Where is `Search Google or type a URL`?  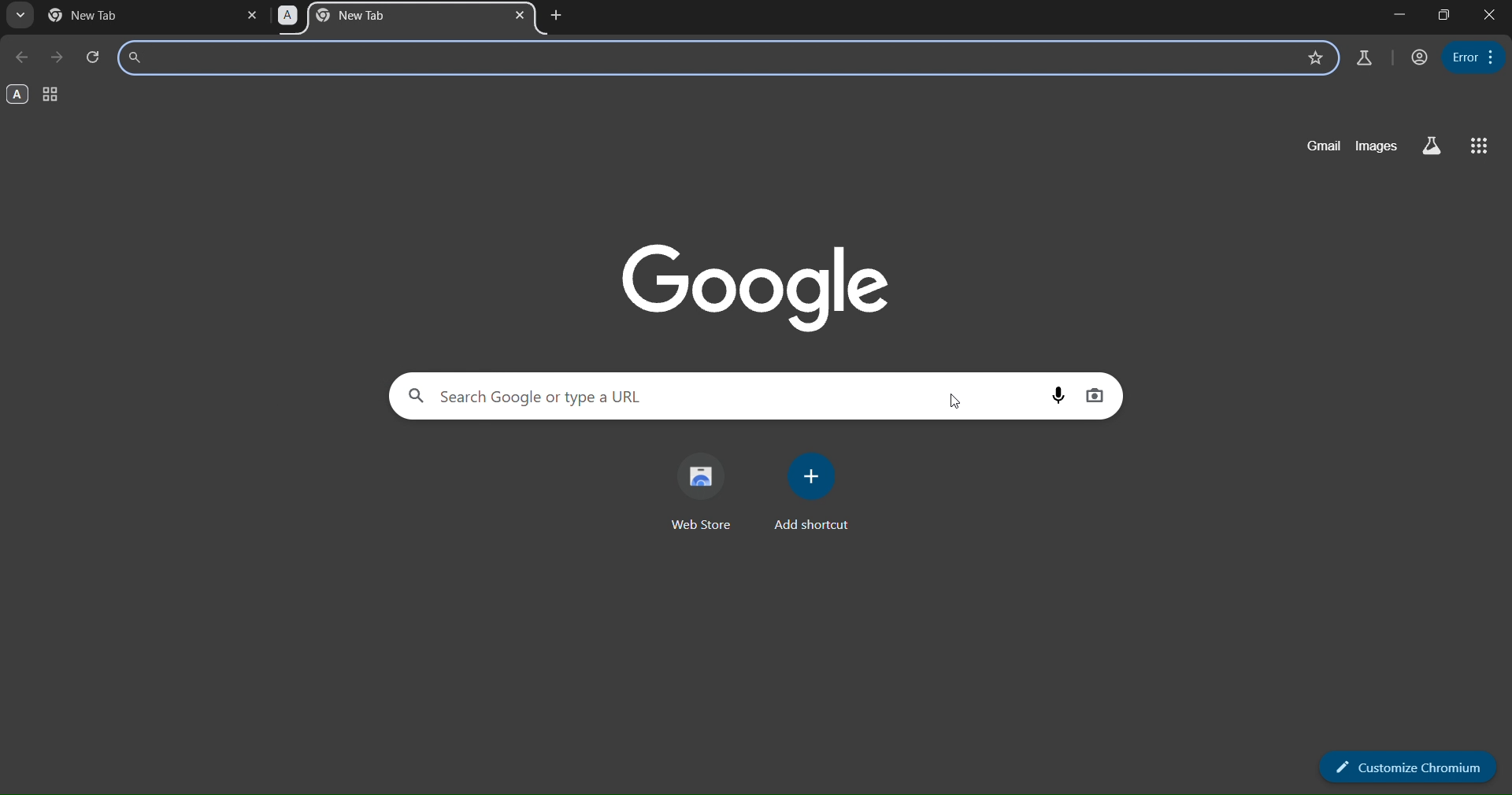 Search Google or type a URL is located at coordinates (522, 392).